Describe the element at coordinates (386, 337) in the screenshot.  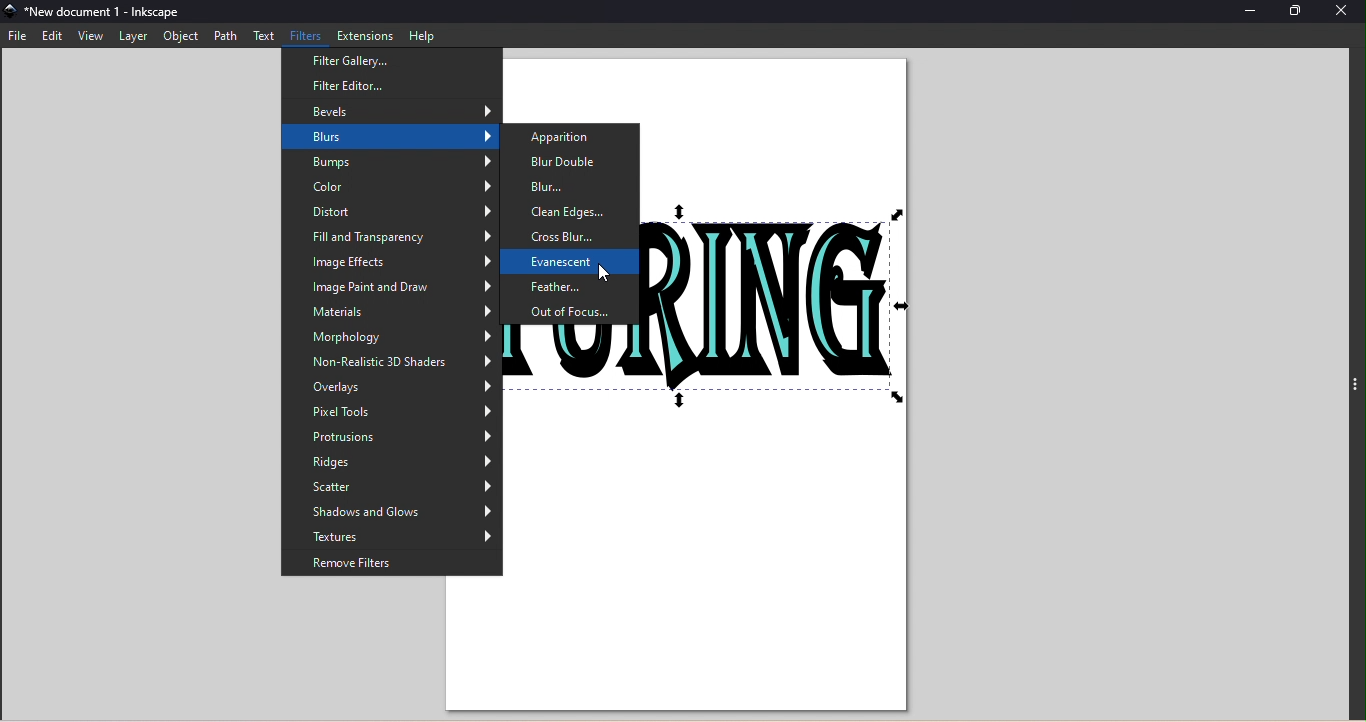
I see `Morphology` at that location.